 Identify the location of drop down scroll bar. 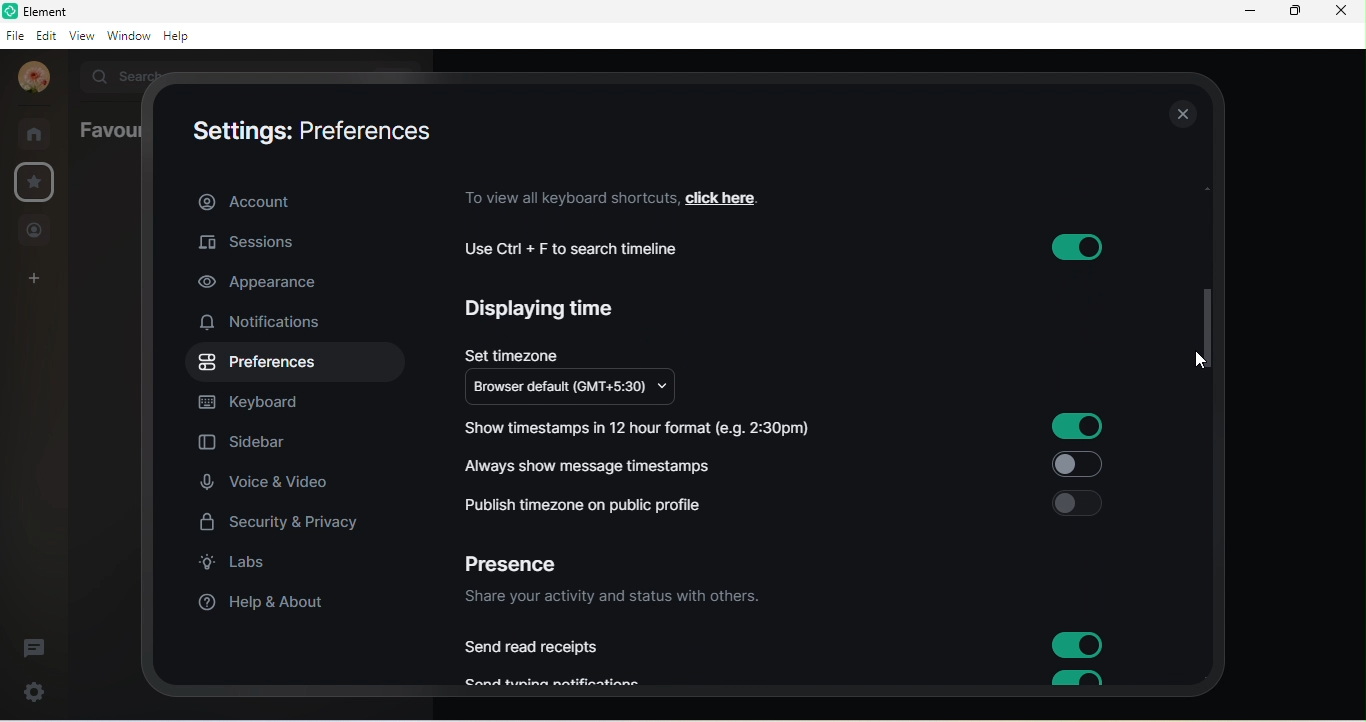
(1203, 325).